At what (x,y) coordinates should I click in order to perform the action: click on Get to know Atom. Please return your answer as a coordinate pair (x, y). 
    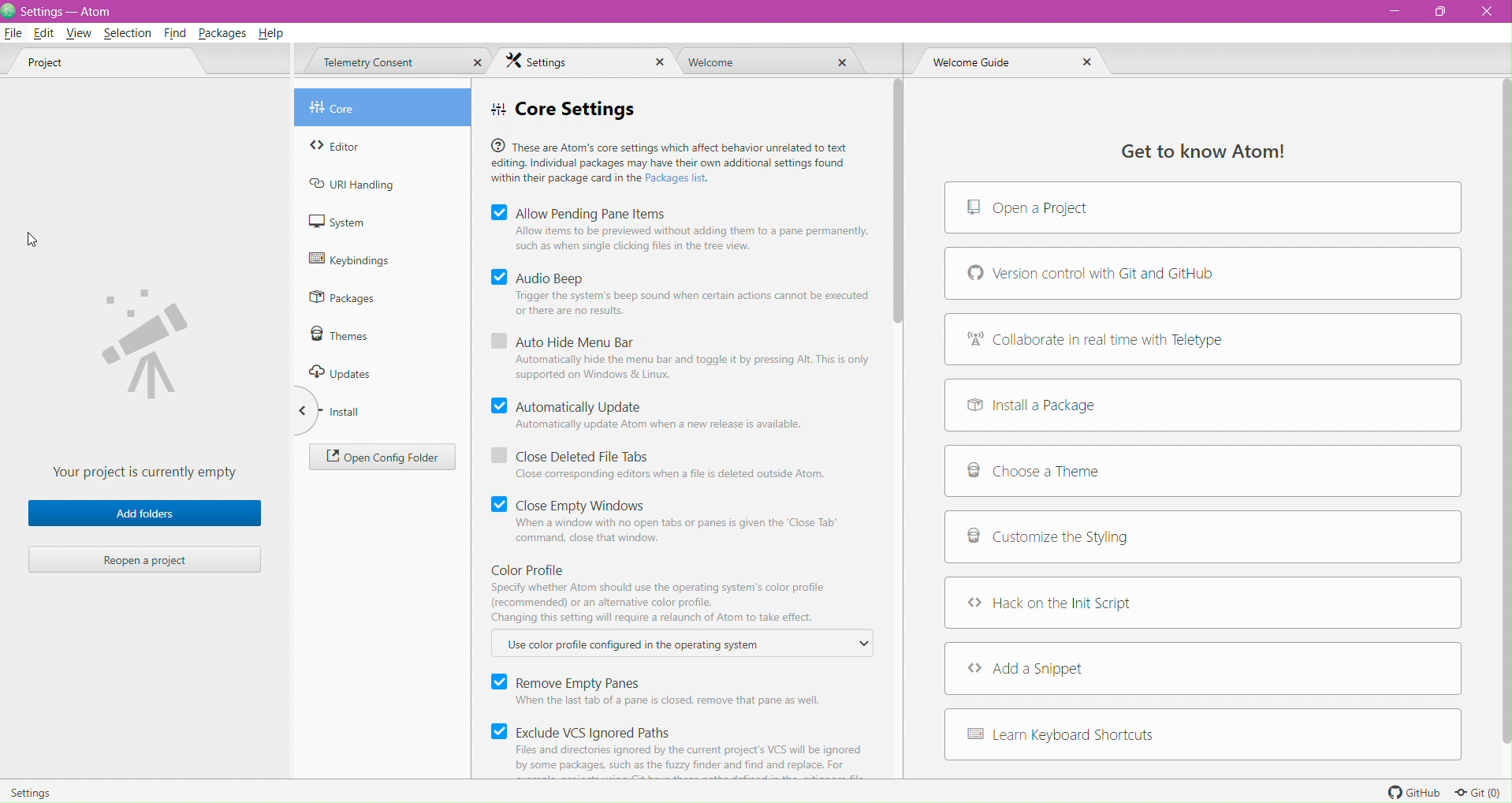
    Looking at the image, I should click on (1195, 149).